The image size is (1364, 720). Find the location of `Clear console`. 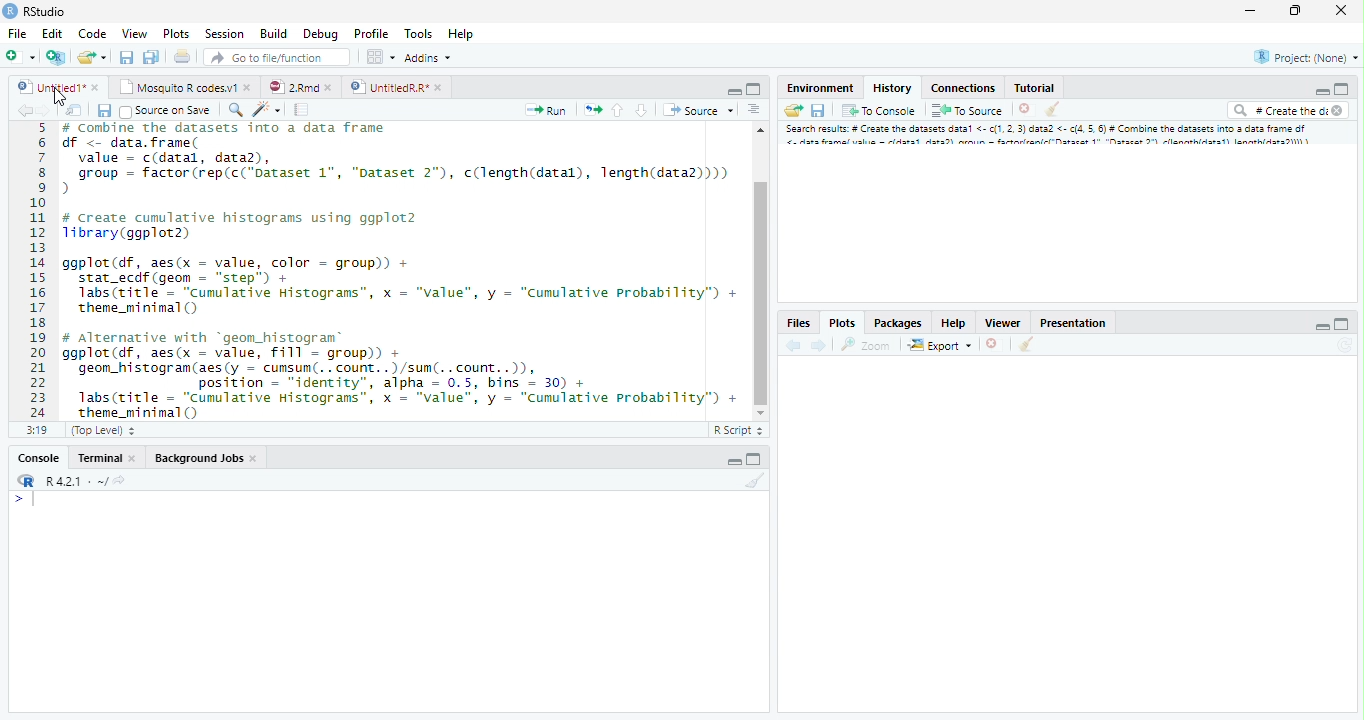

Clear console is located at coordinates (1055, 111).